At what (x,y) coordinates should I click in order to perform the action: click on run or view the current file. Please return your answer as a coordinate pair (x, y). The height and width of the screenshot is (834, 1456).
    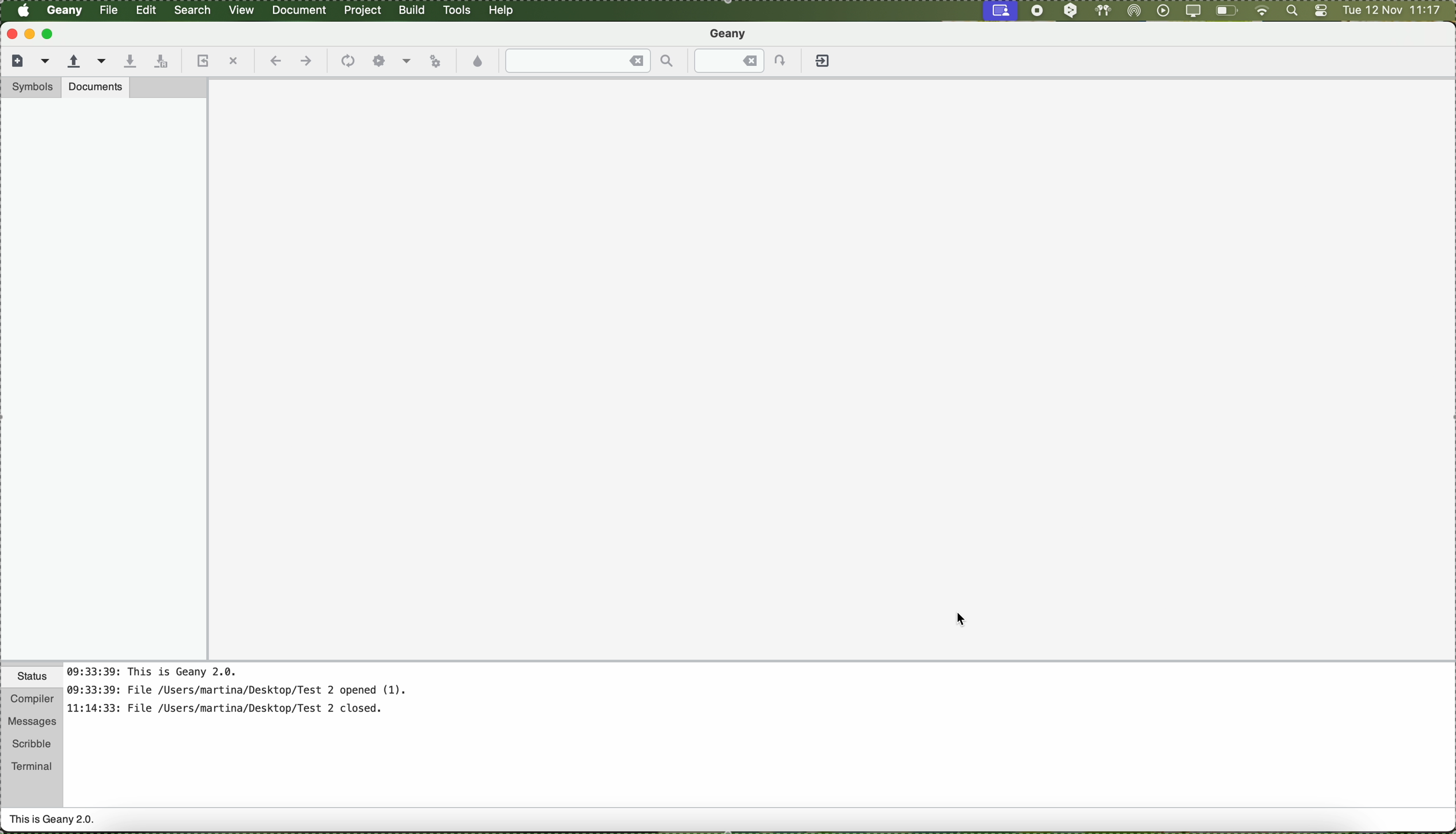
    Looking at the image, I should click on (435, 60).